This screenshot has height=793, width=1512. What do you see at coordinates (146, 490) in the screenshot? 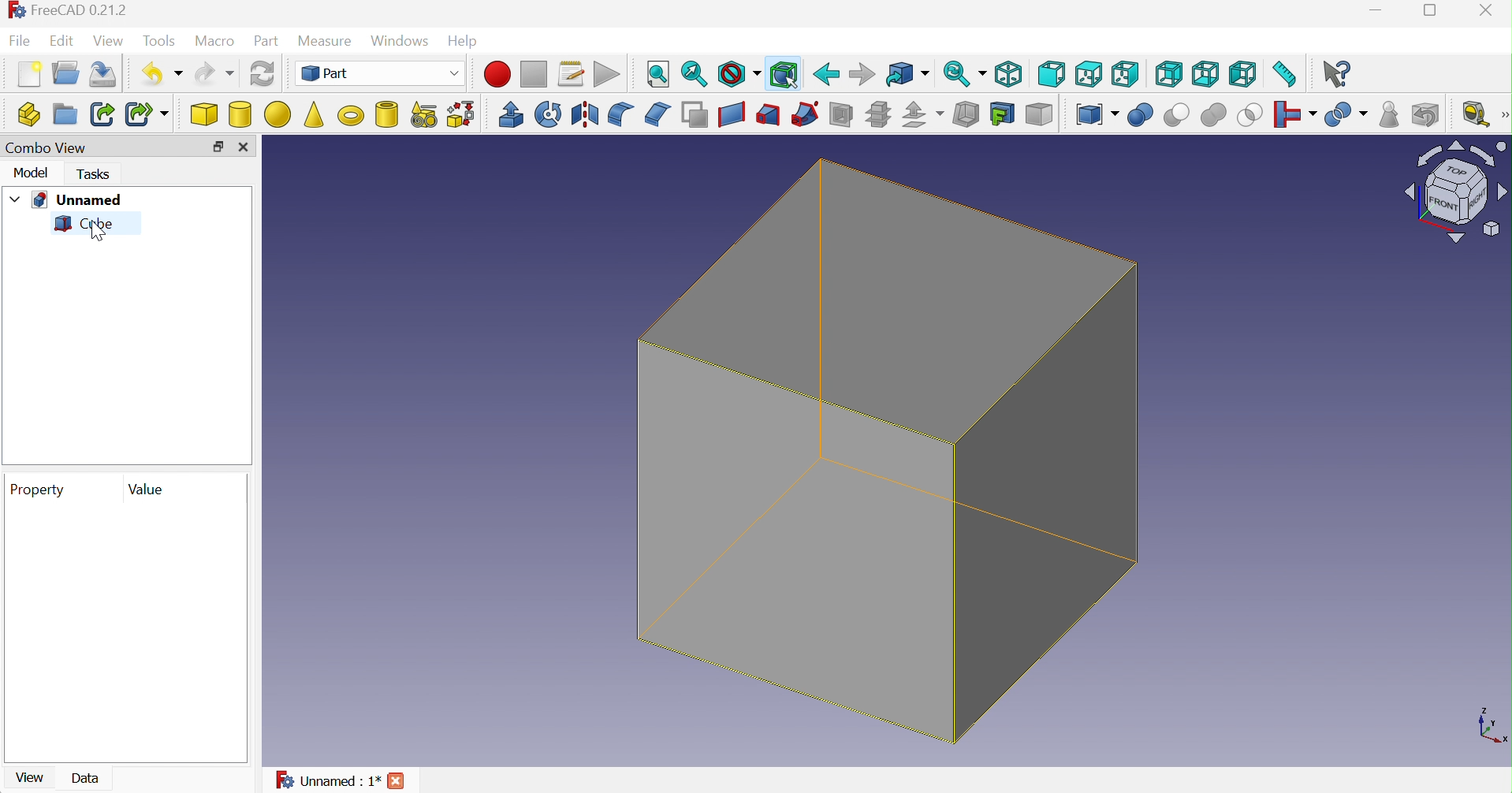
I see `Value` at bounding box center [146, 490].